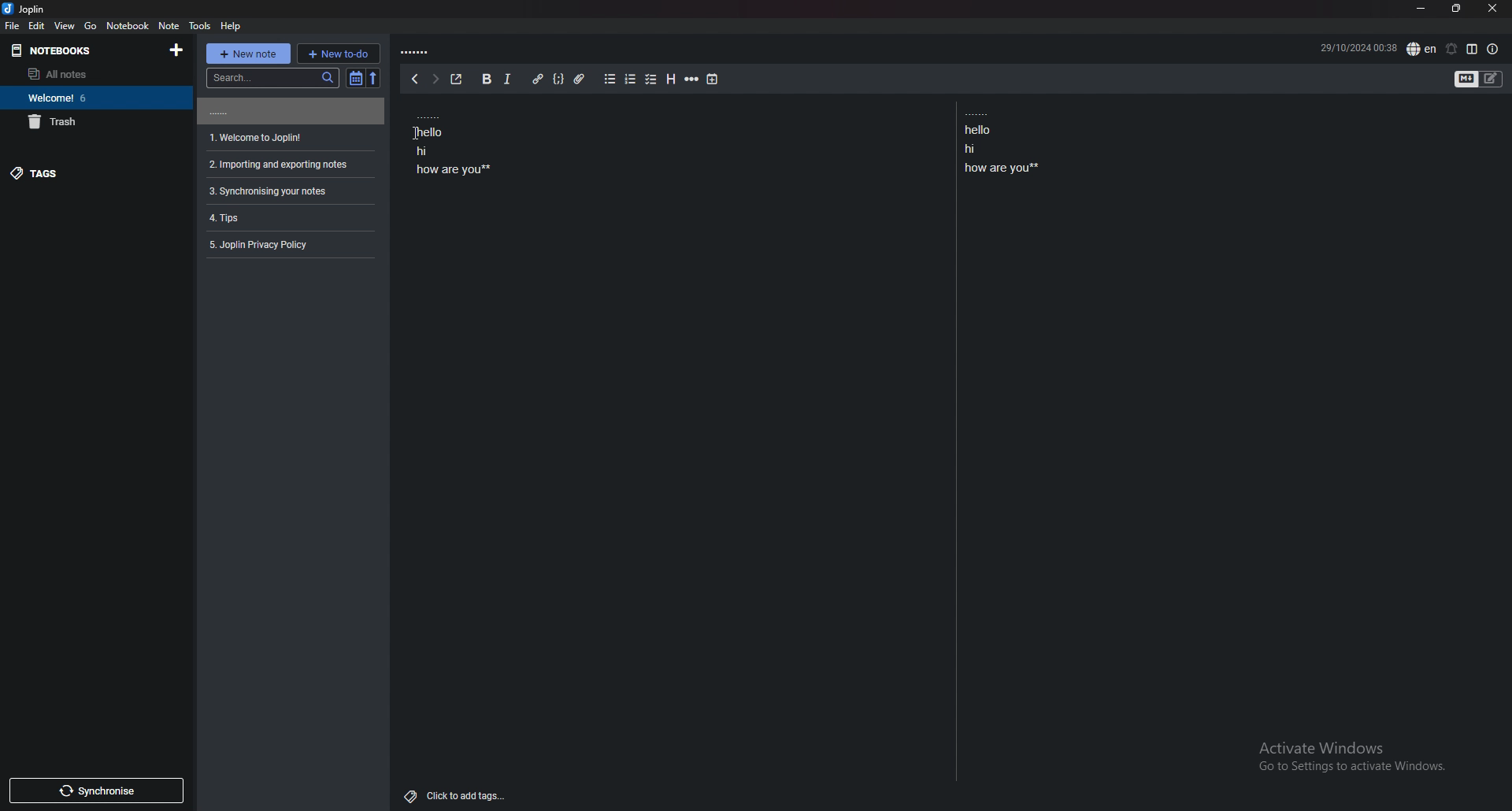 The image size is (1512, 811). I want to click on checkbox, so click(652, 80).